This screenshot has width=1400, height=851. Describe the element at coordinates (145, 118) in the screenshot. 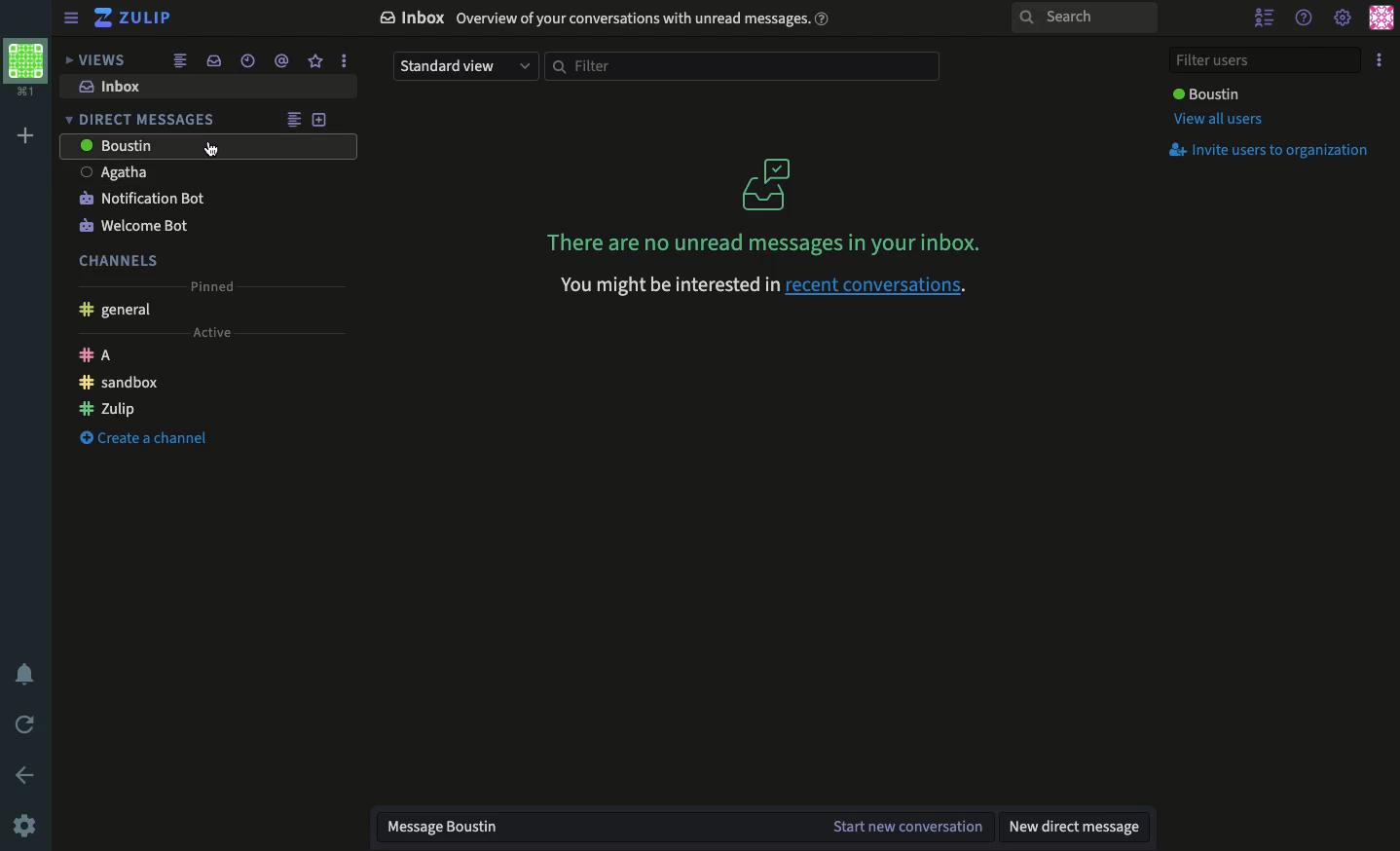

I see `DM` at that location.